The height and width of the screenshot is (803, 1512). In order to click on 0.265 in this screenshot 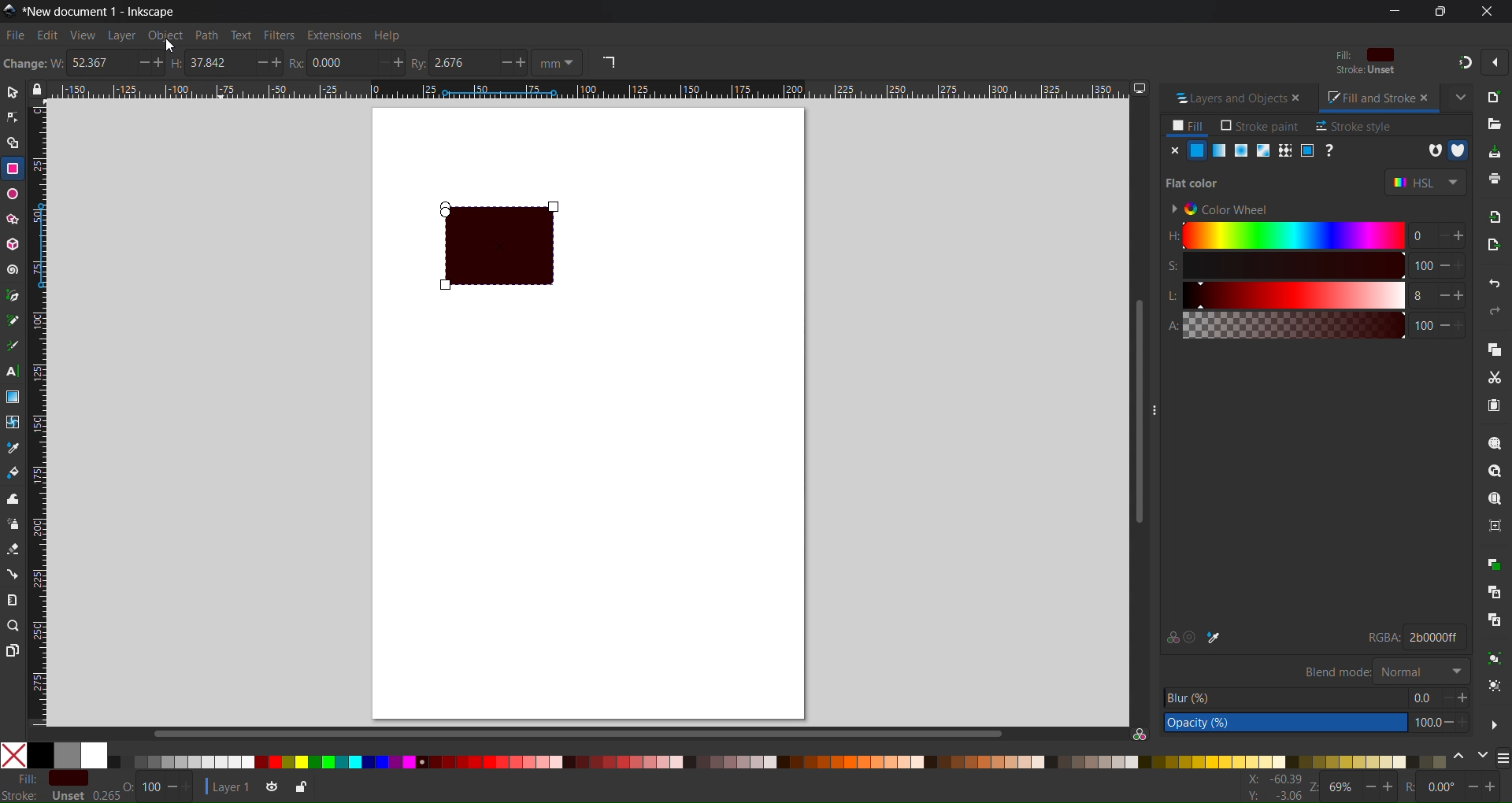, I will do `click(102, 796)`.